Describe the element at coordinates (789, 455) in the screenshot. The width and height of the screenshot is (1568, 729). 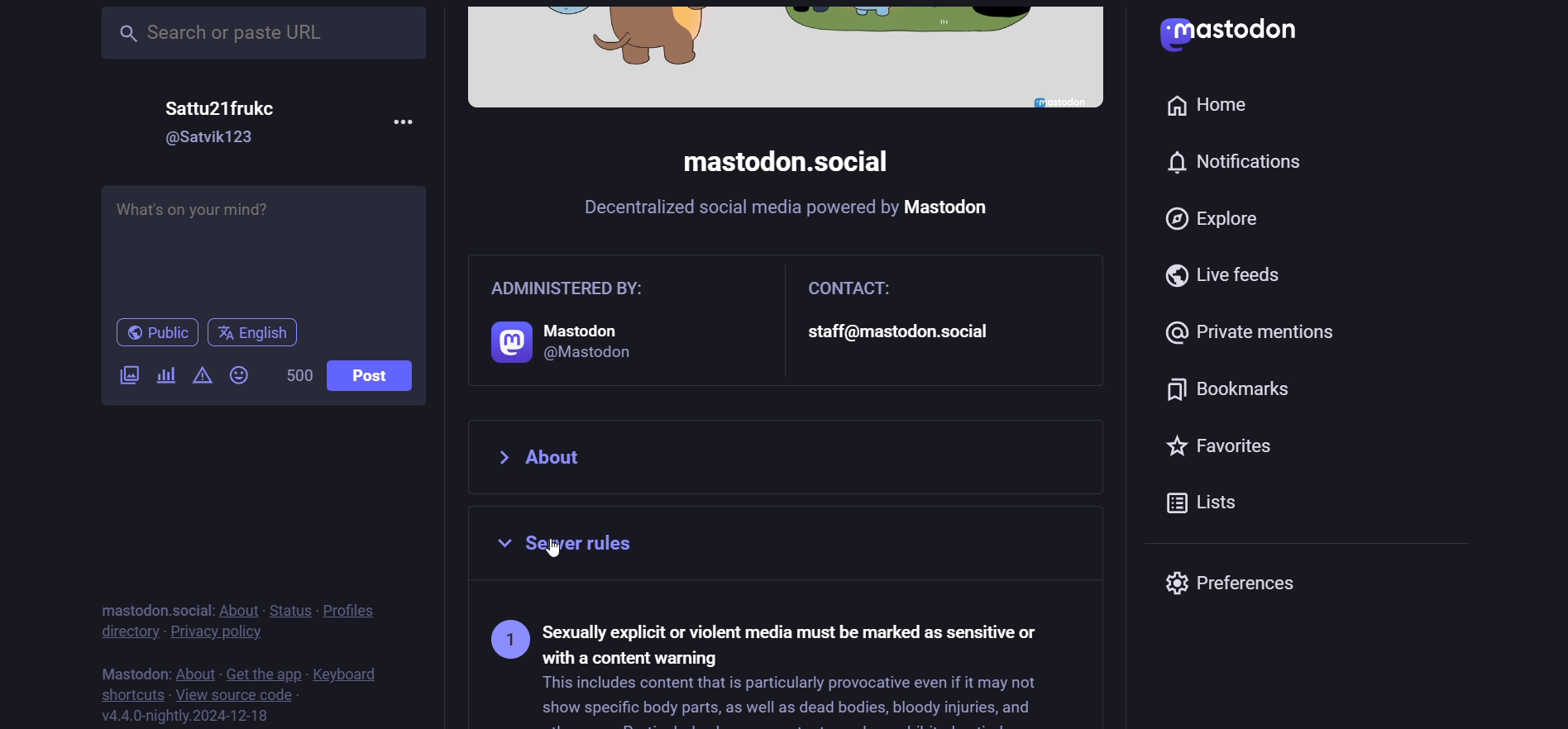
I see `about option` at that location.